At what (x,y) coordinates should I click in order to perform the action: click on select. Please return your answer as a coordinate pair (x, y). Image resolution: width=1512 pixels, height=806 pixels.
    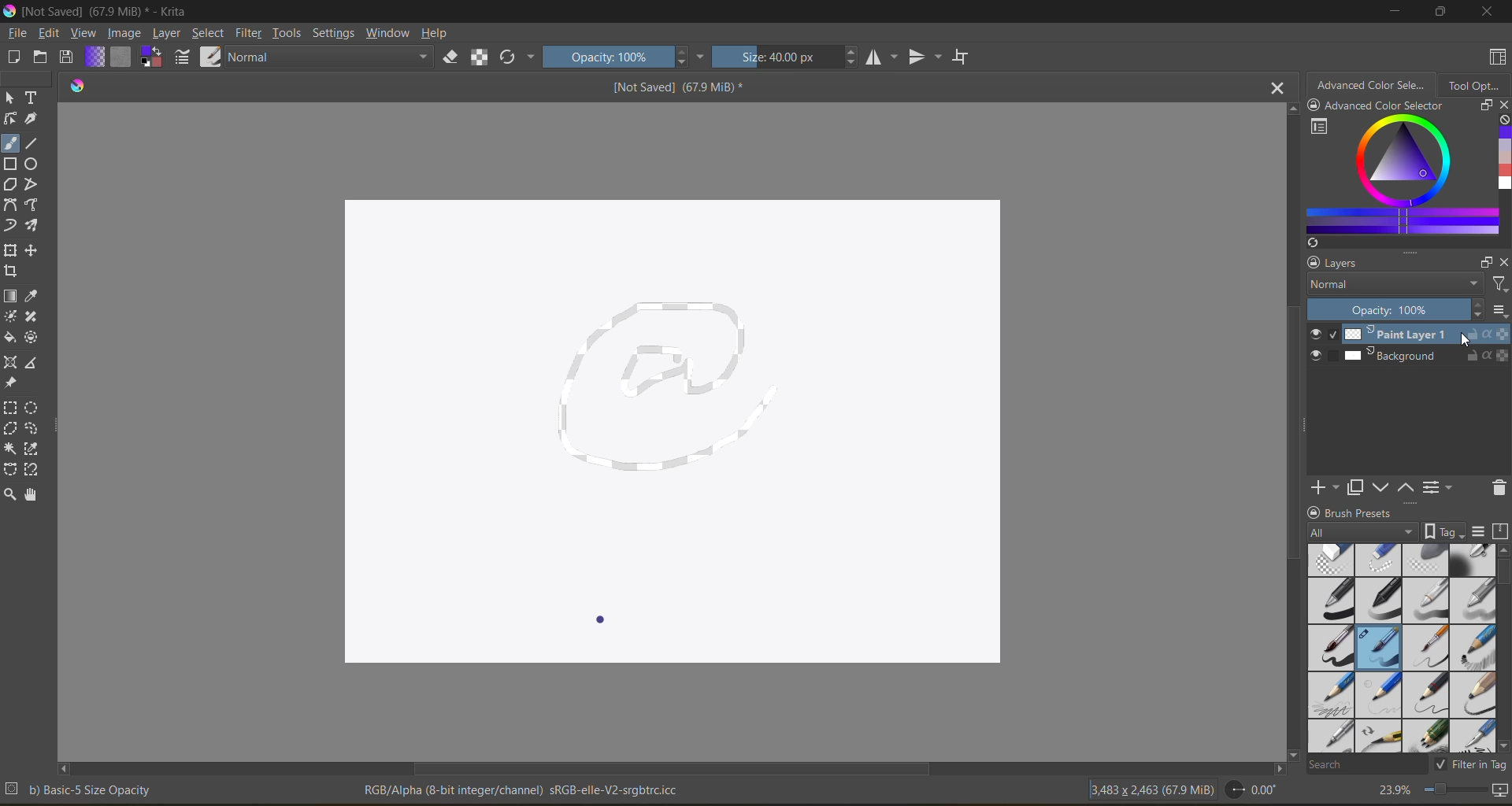
    Looking at the image, I should click on (9, 98).